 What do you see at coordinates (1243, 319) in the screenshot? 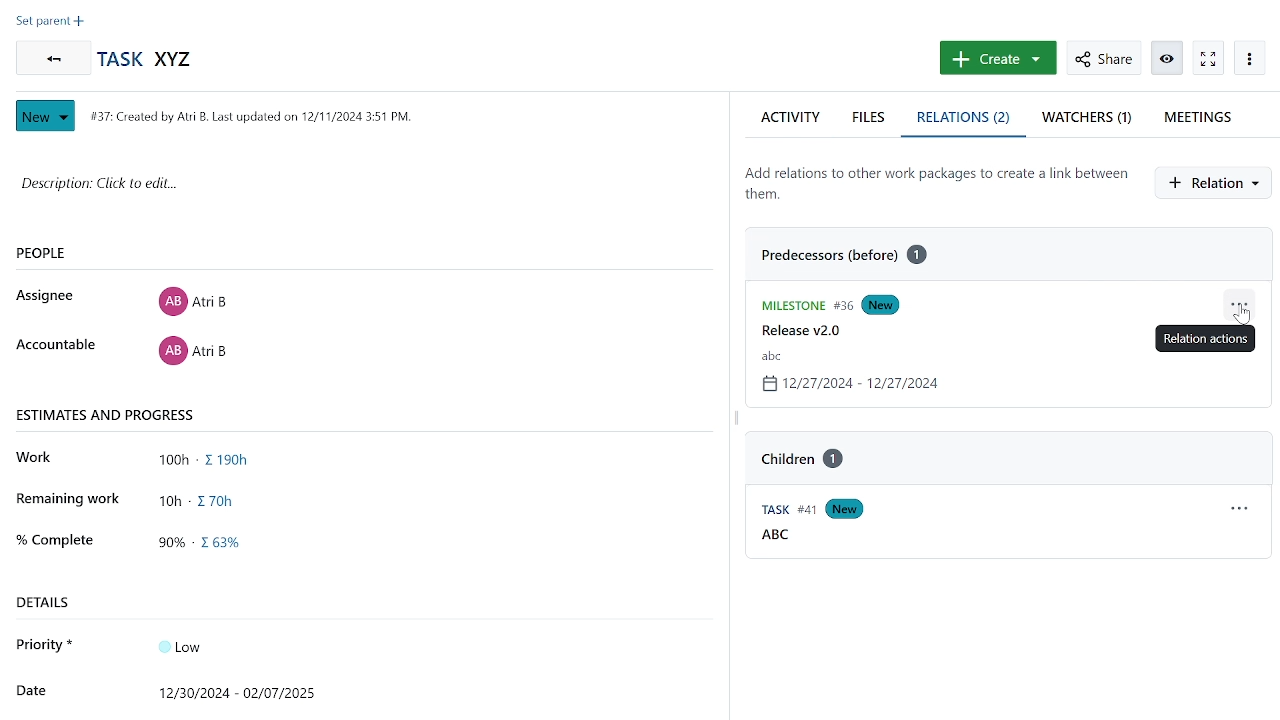
I see `cursor` at bounding box center [1243, 319].